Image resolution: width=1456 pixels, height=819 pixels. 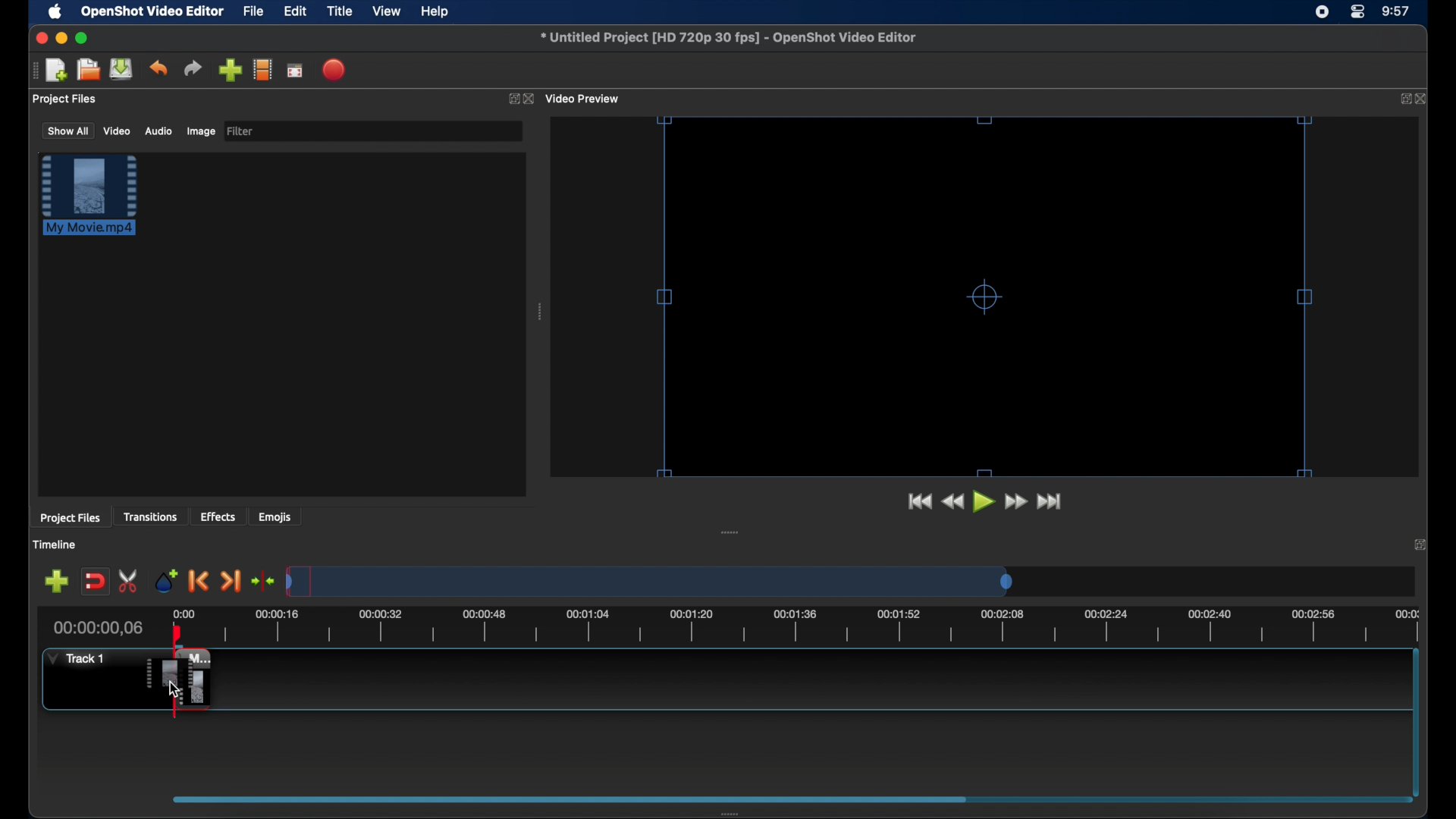 What do you see at coordinates (1423, 99) in the screenshot?
I see `close` at bounding box center [1423, 99].